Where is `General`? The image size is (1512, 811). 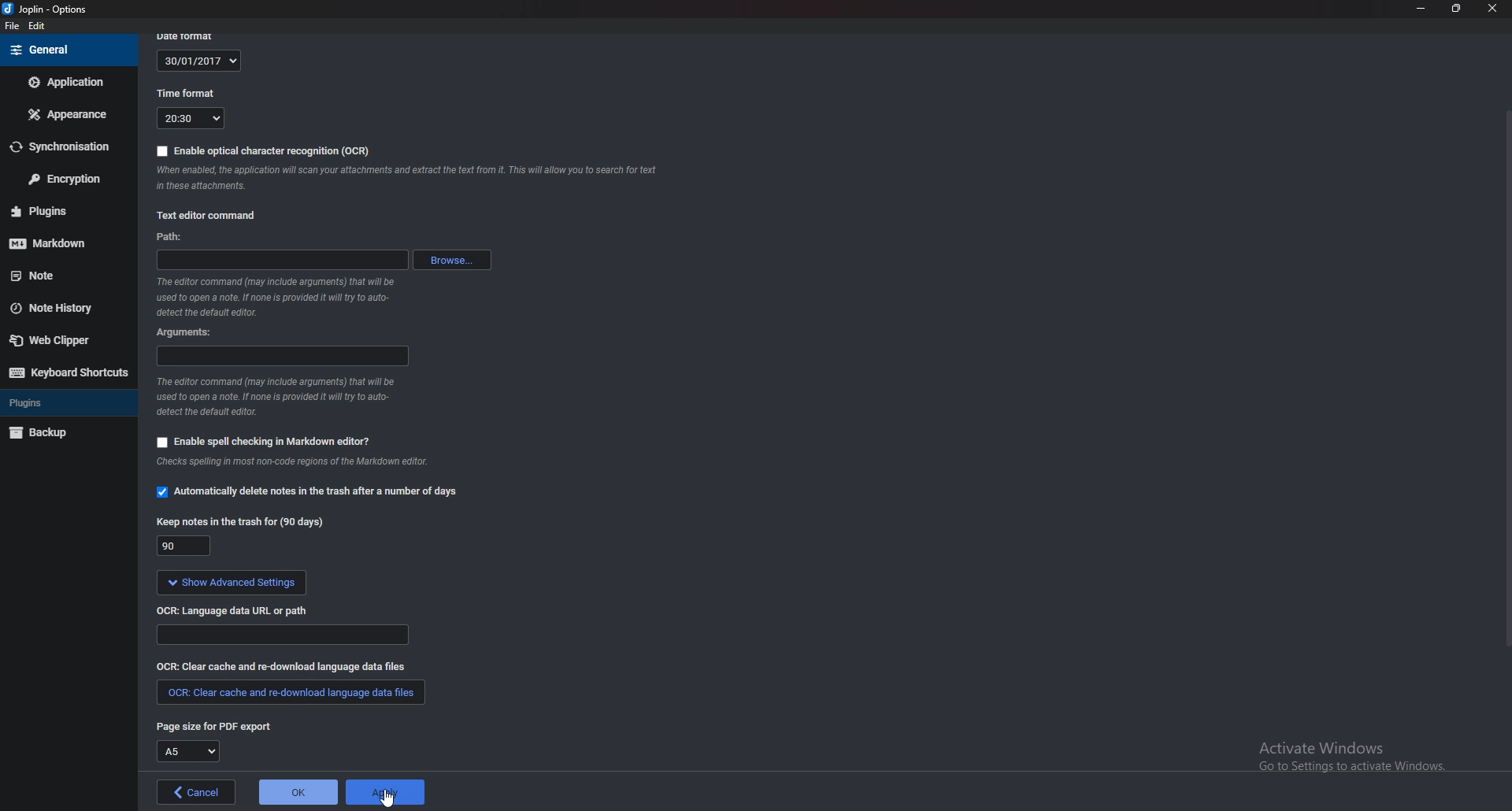
General is located at coordinates (67, 50).